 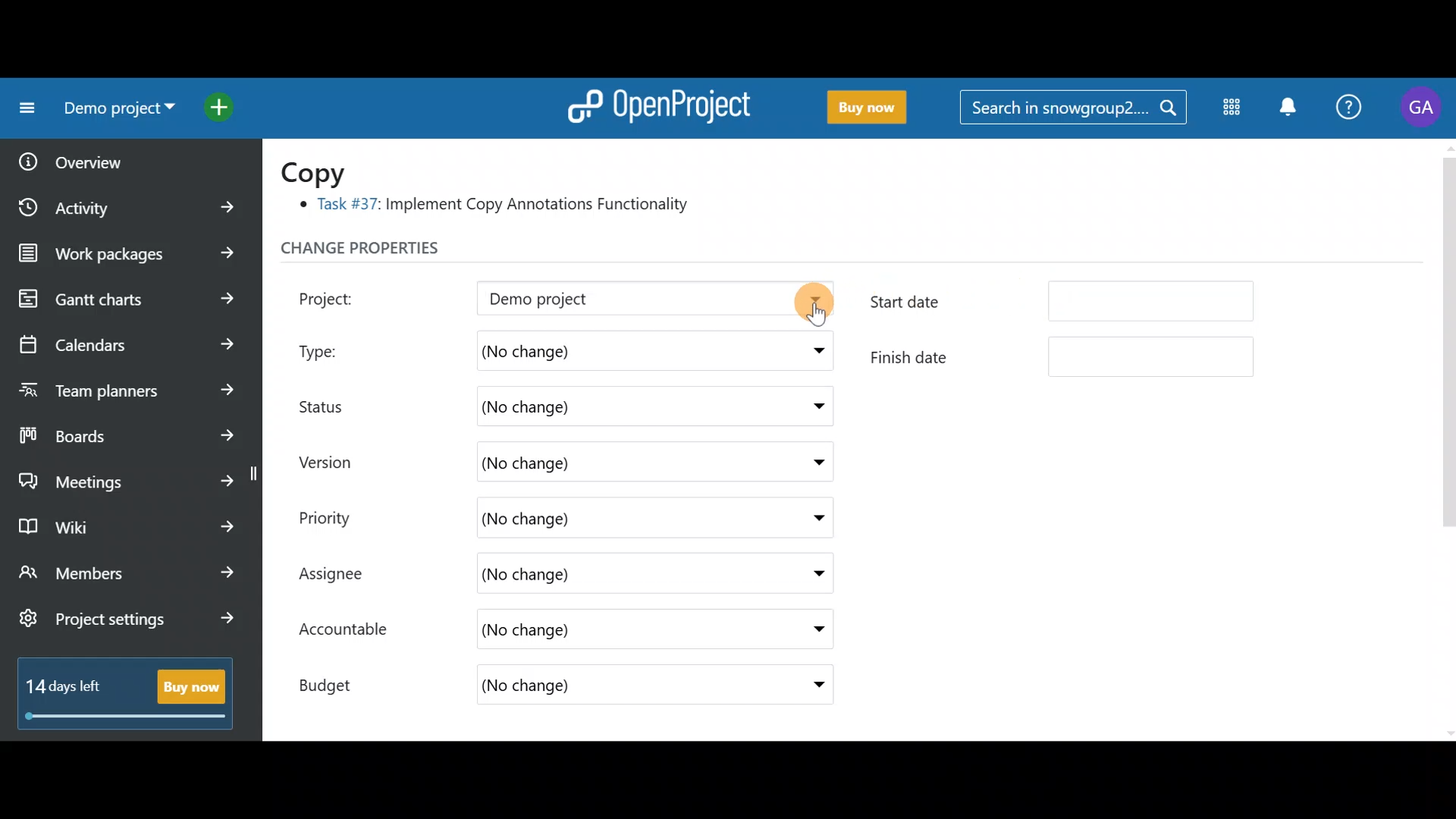 What do you see at coordinates (860, 108) in the screenshot?
I see `Buy now` at bounding box center [860, 108].